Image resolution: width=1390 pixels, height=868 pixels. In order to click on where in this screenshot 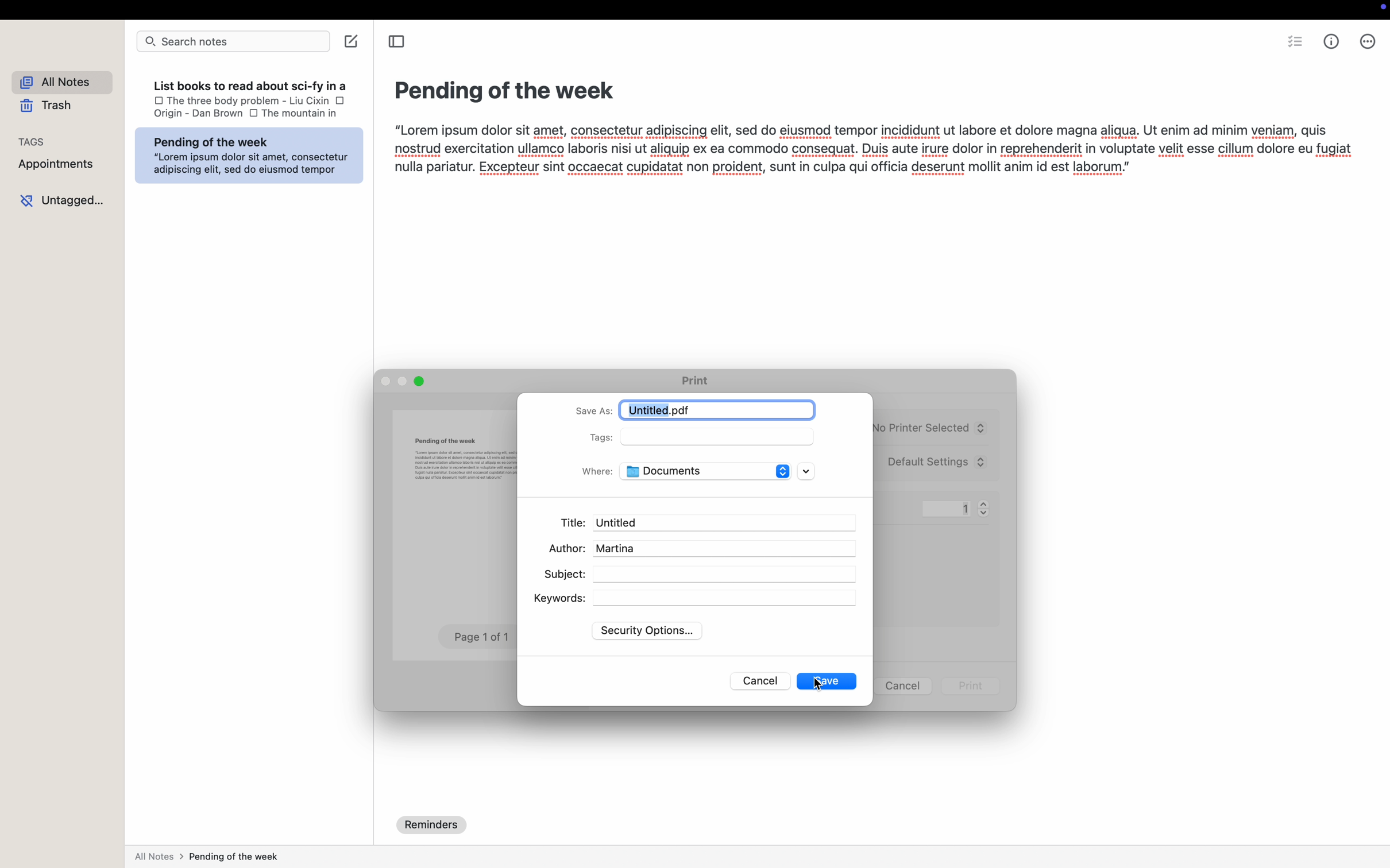, I will do `click(597, 472)`.